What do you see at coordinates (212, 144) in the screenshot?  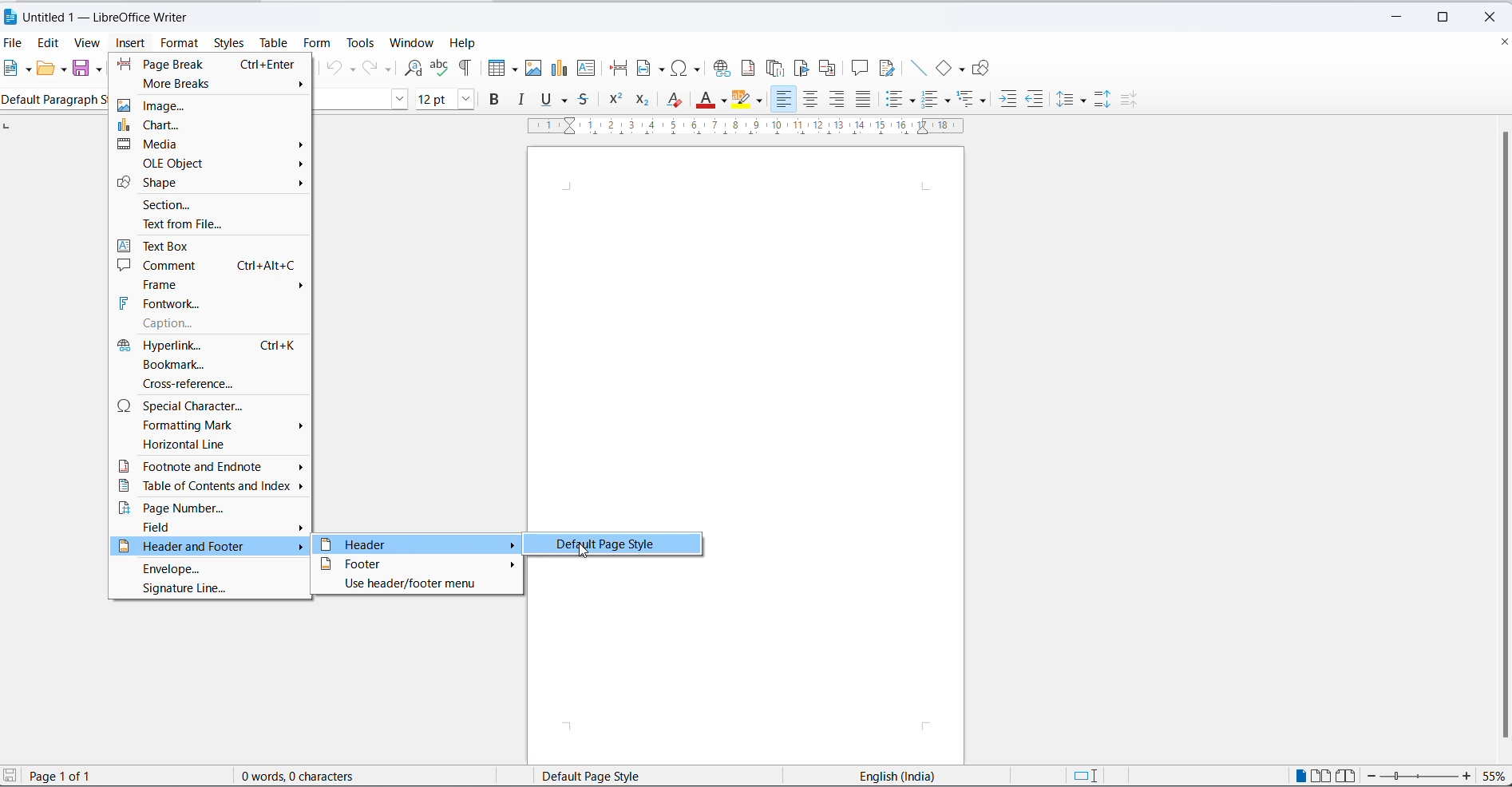 I see `media` at bounding box center [212, 144].